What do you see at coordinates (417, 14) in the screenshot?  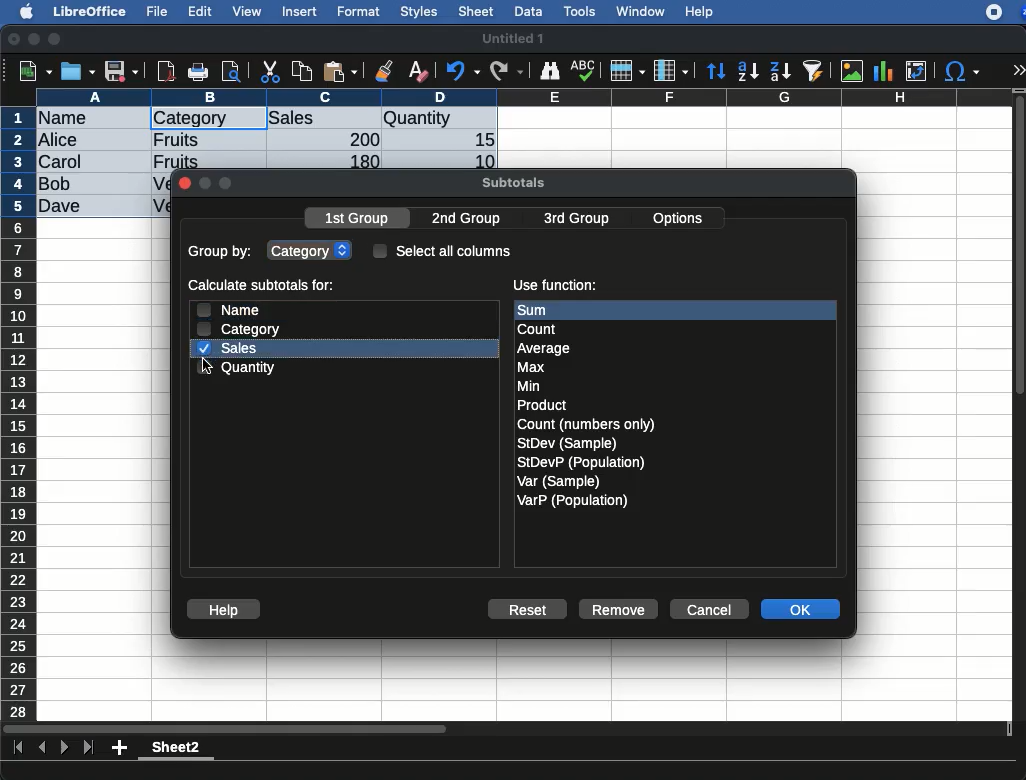 I see `styles` at bounding box center [417, 14].